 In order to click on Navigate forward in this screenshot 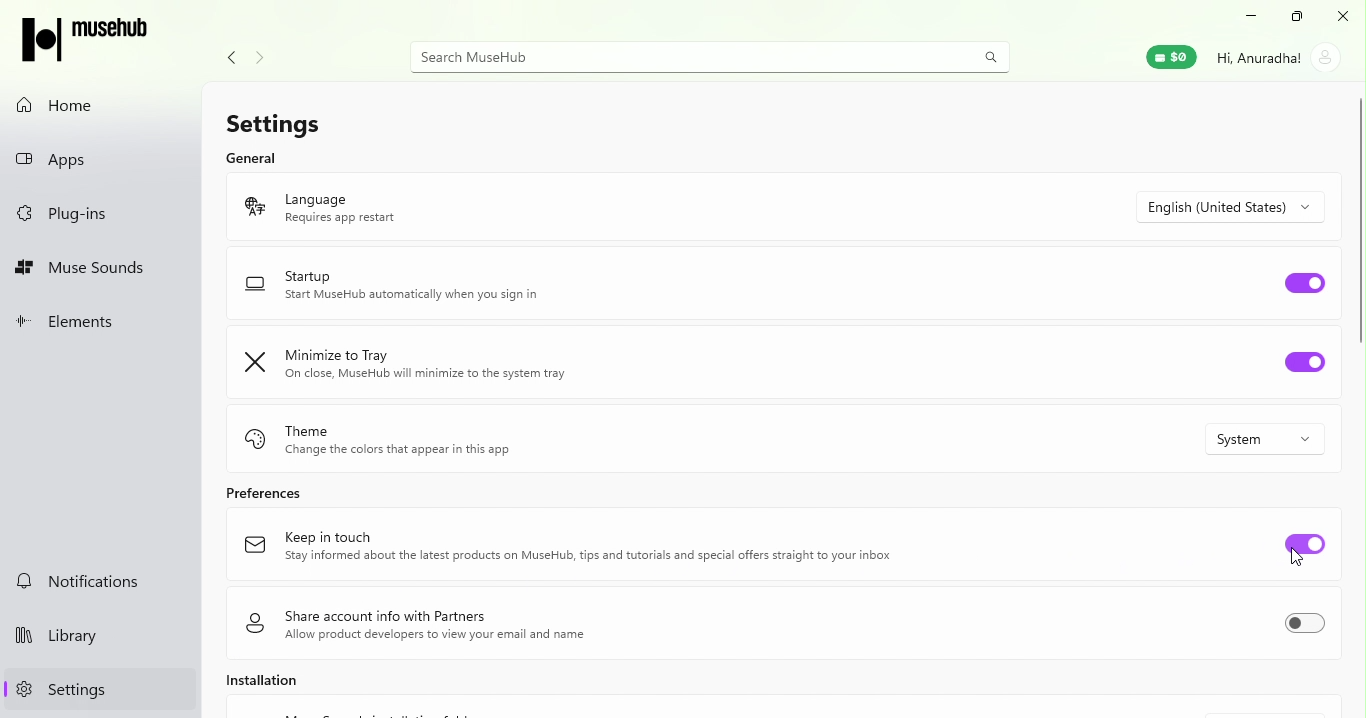, I will do `click(256, 58)`.